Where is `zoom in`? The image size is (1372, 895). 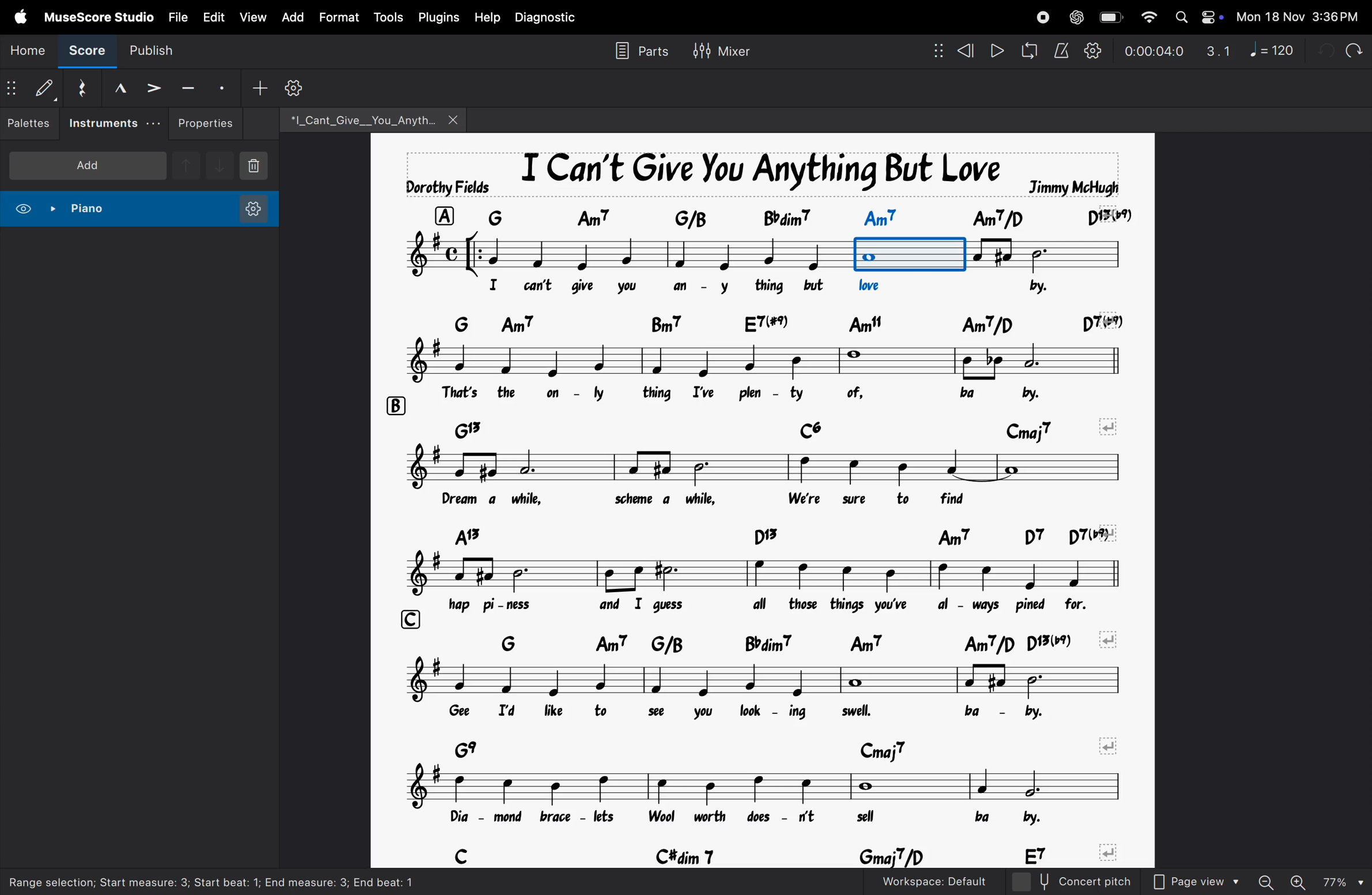 zoom in is located at coordinates (1298, 881).